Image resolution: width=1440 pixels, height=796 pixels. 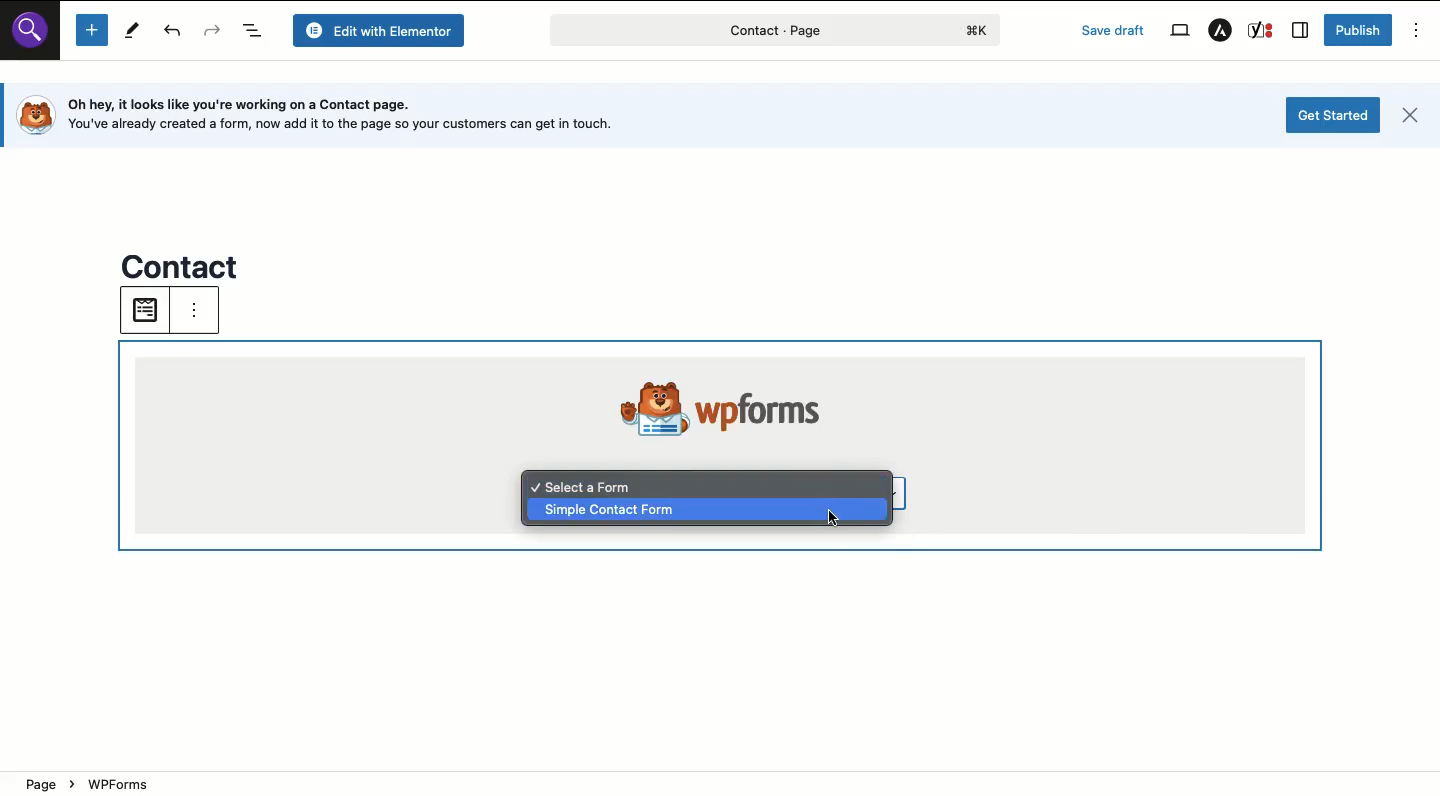 What do you see at coordinates (1178, 29) in the screenshot?
I see `View` at bounding box center [1178, 29].